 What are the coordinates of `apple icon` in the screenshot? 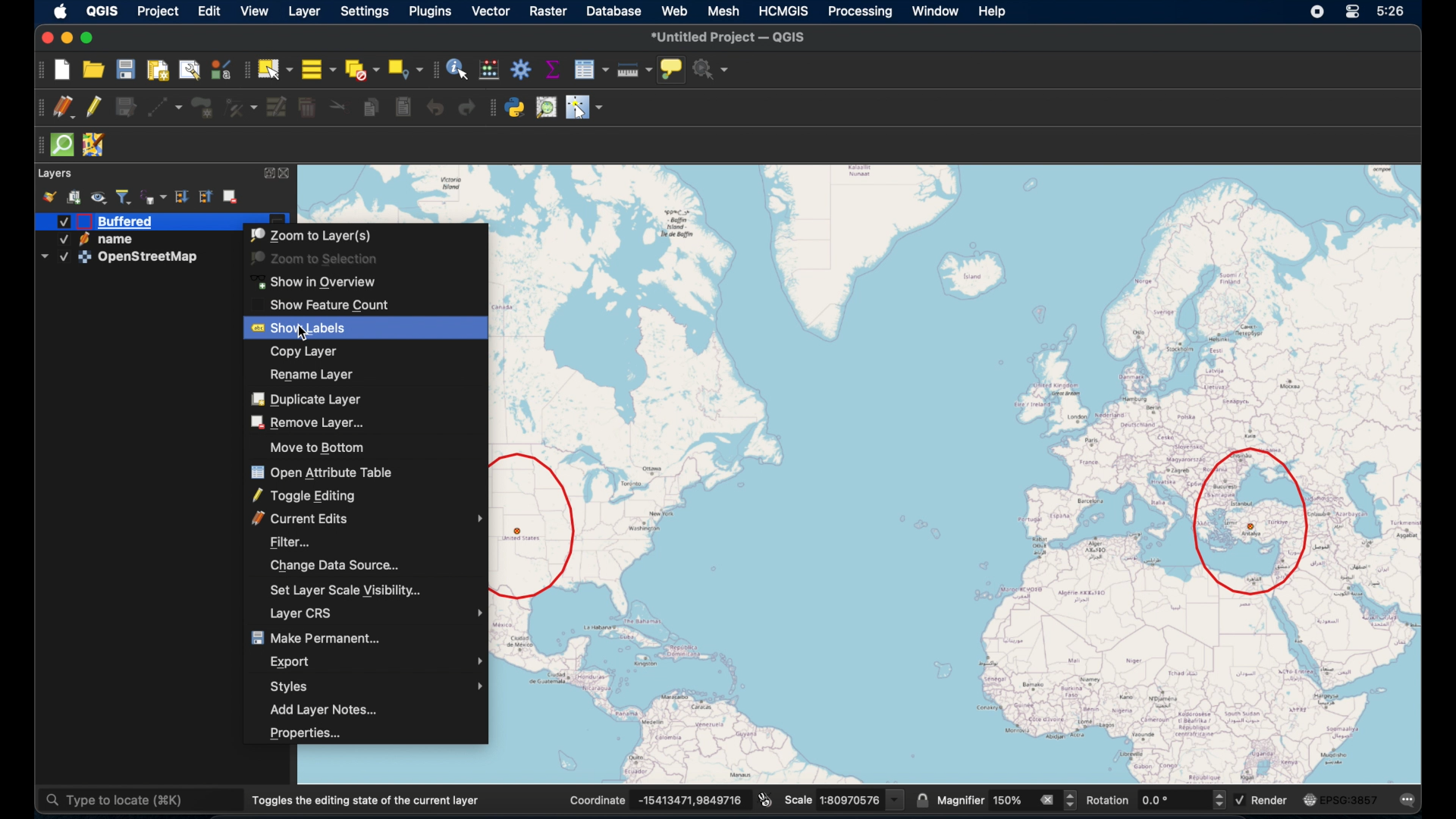 It's located at (61, 11).